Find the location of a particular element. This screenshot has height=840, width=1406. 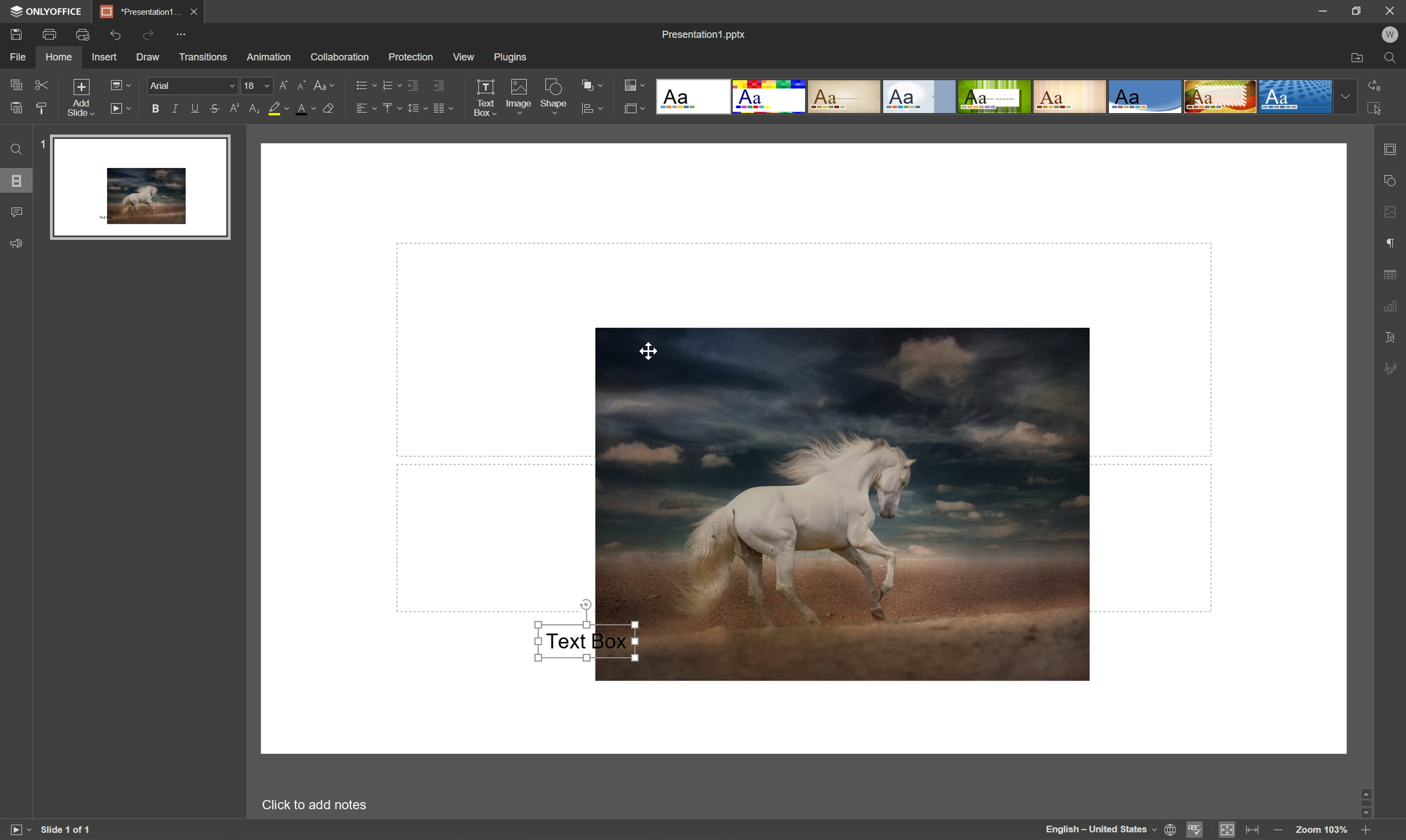

Text Box is located at coordinates (484, 97).